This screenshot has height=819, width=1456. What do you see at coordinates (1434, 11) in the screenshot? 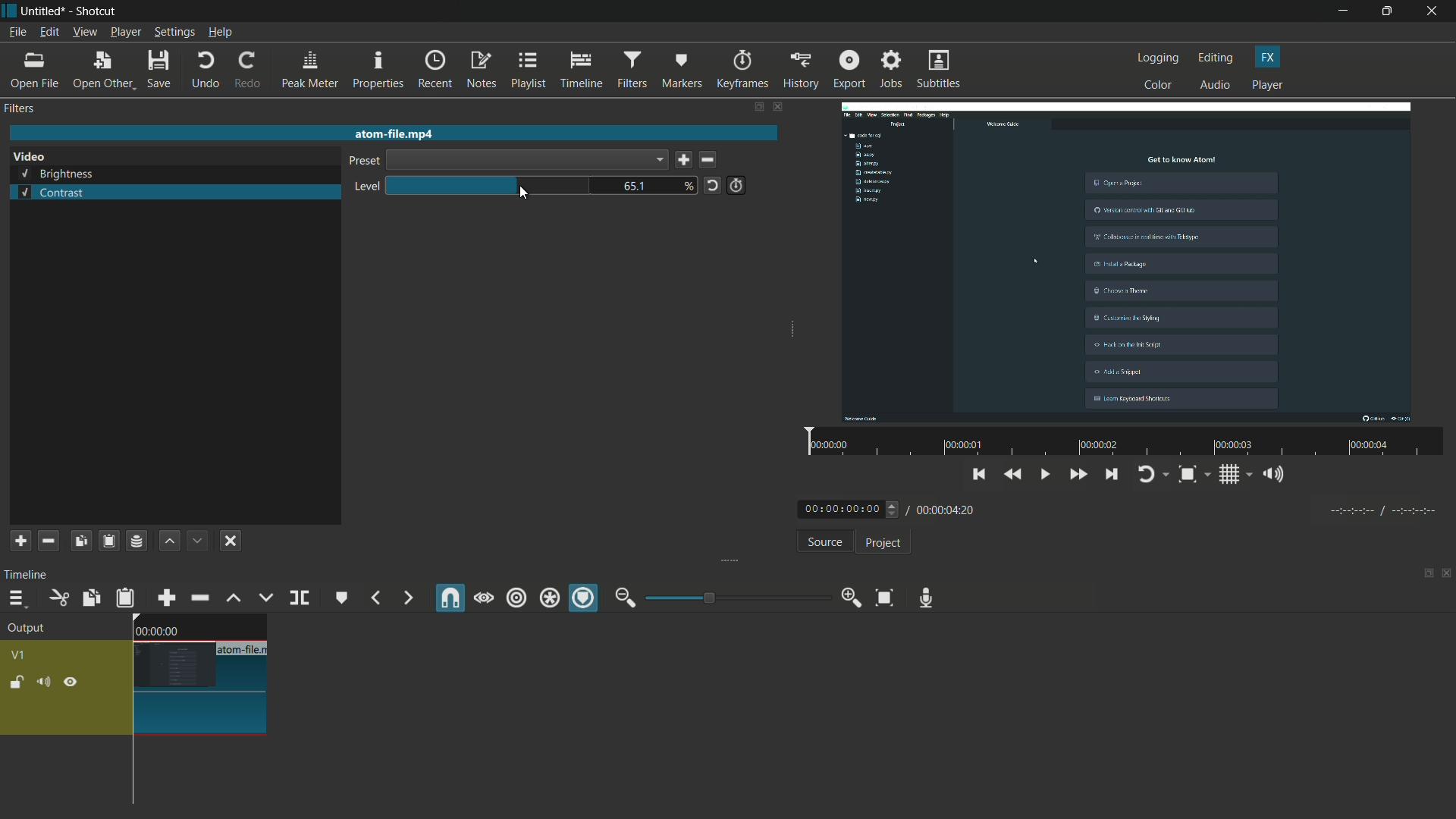
I see `close app` at bounding box center [1434, 11].